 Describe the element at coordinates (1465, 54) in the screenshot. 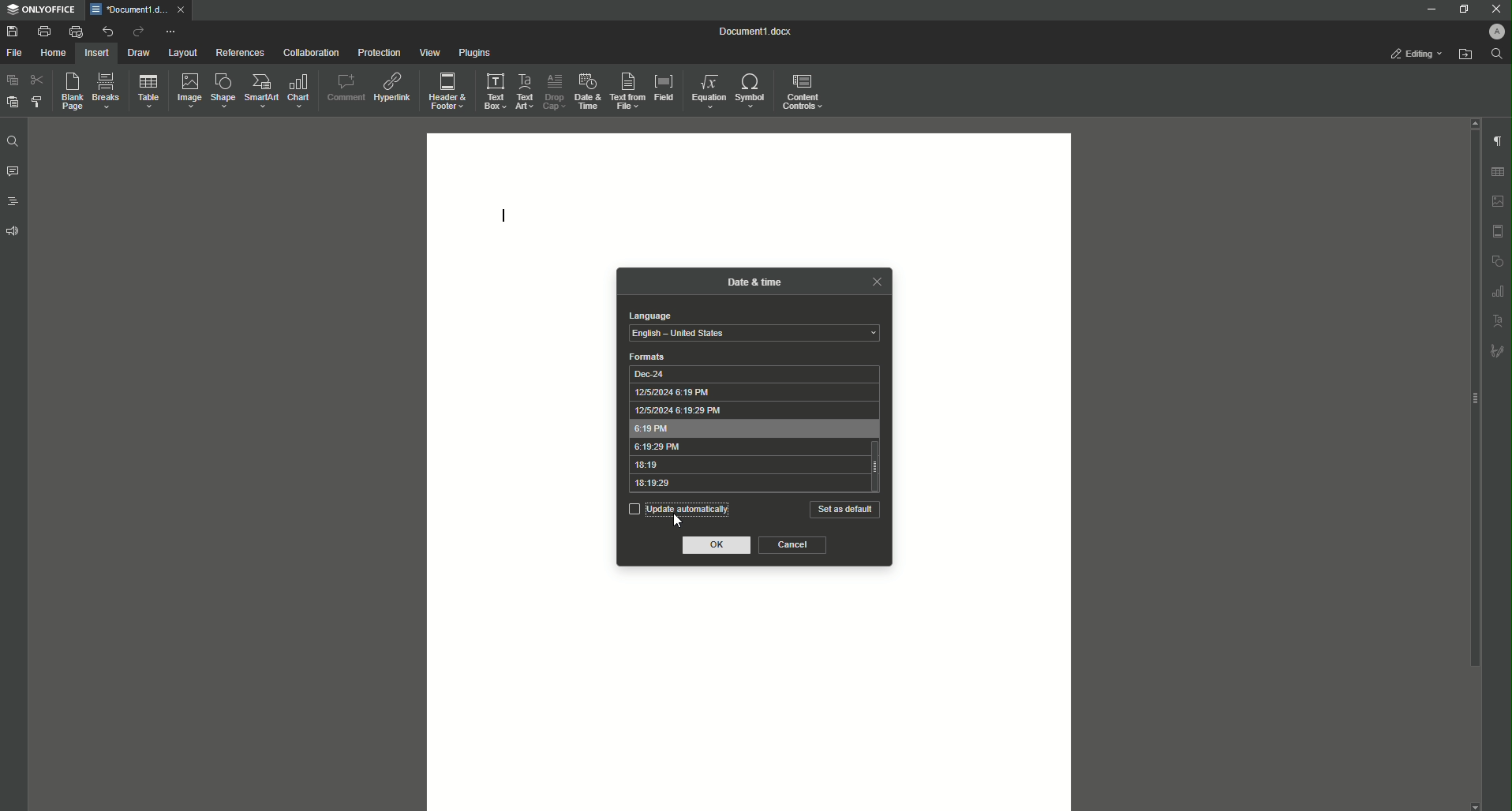

I see `Open from file` at that location.